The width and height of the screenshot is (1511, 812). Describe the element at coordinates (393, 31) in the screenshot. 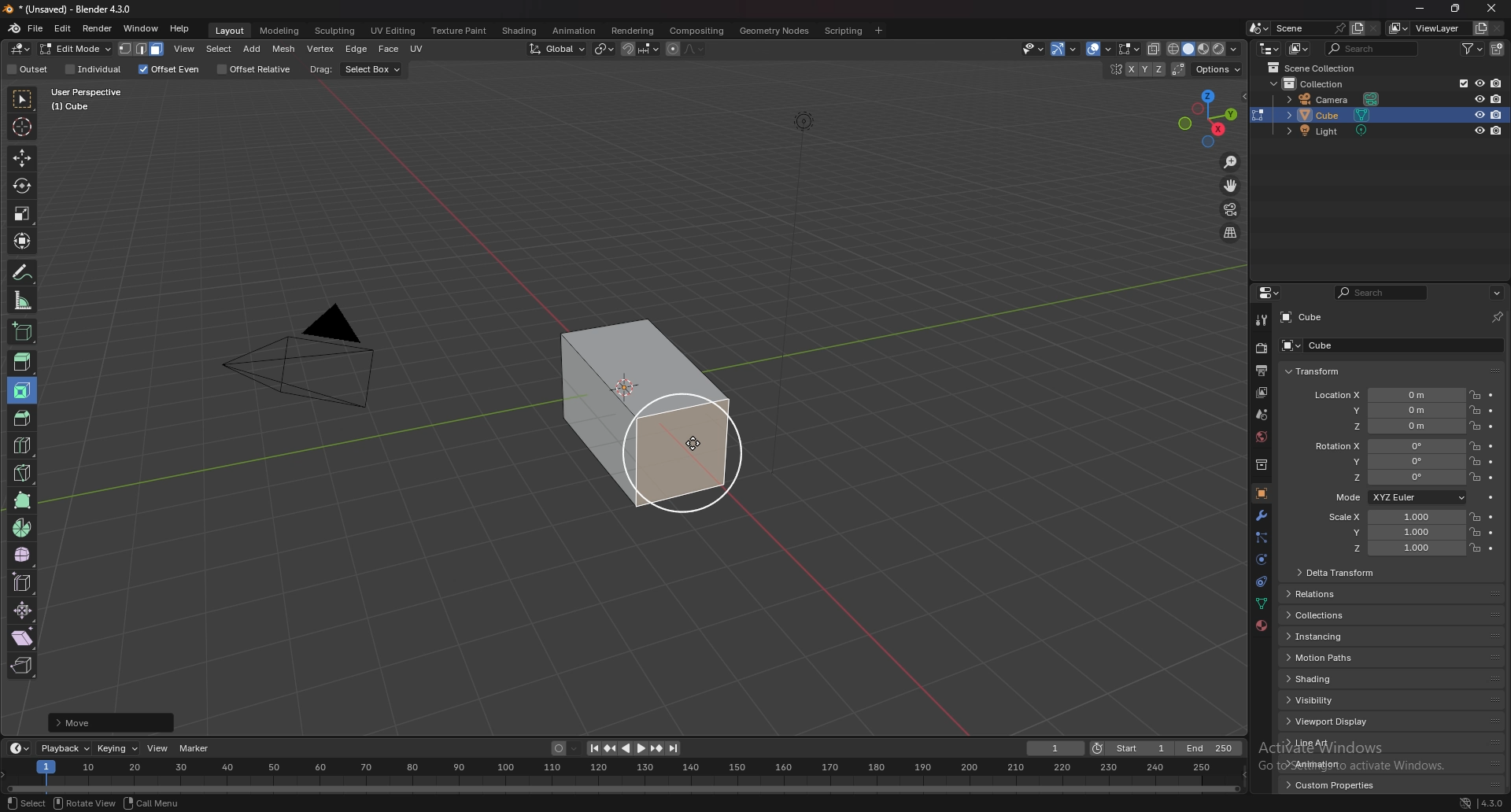

I see `uv editing` at that location.